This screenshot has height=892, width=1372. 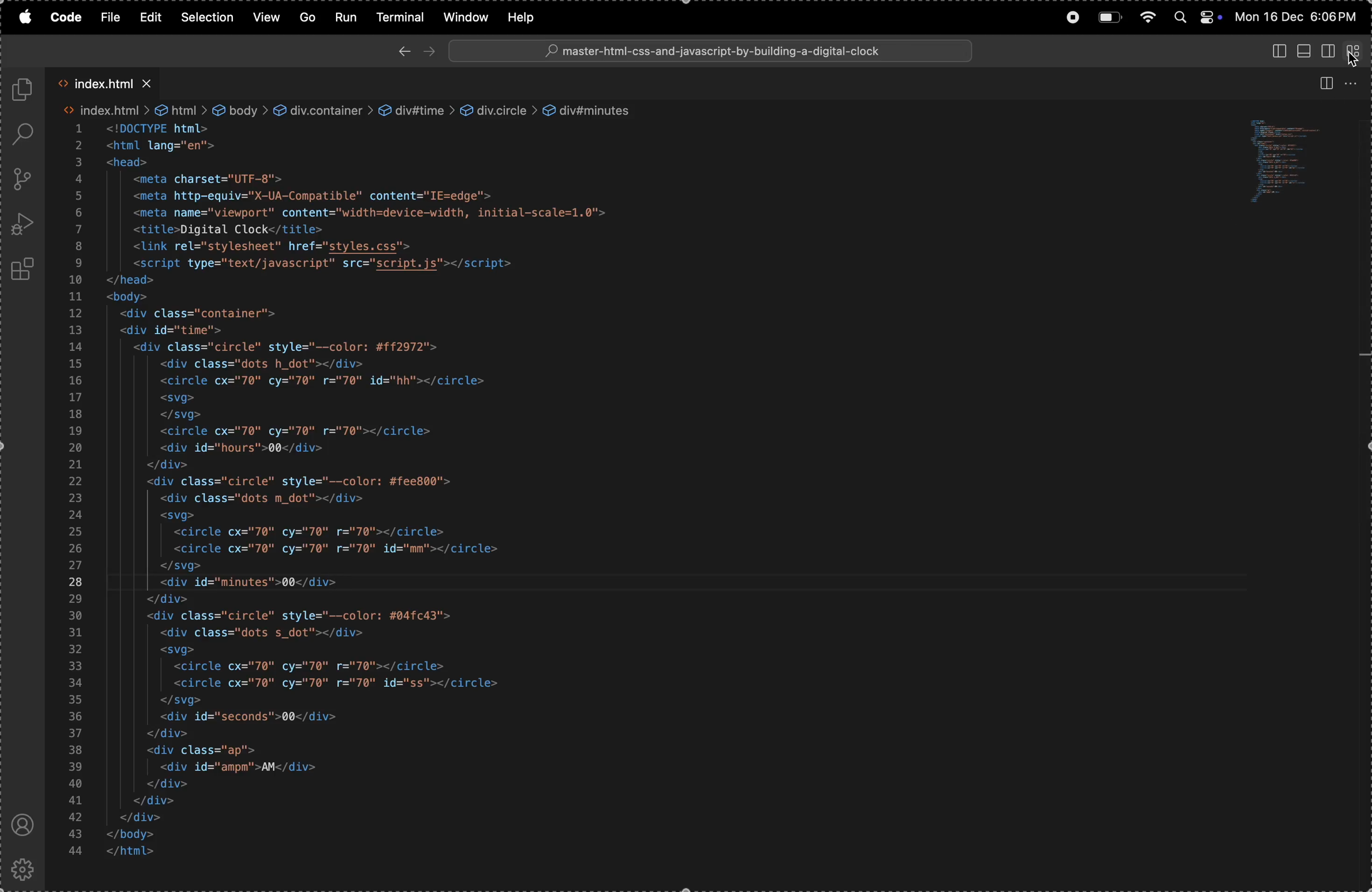 What do you see at coordinates (24, 825) in the screenshot?
I see `profile` at bounding box center [24, 825].